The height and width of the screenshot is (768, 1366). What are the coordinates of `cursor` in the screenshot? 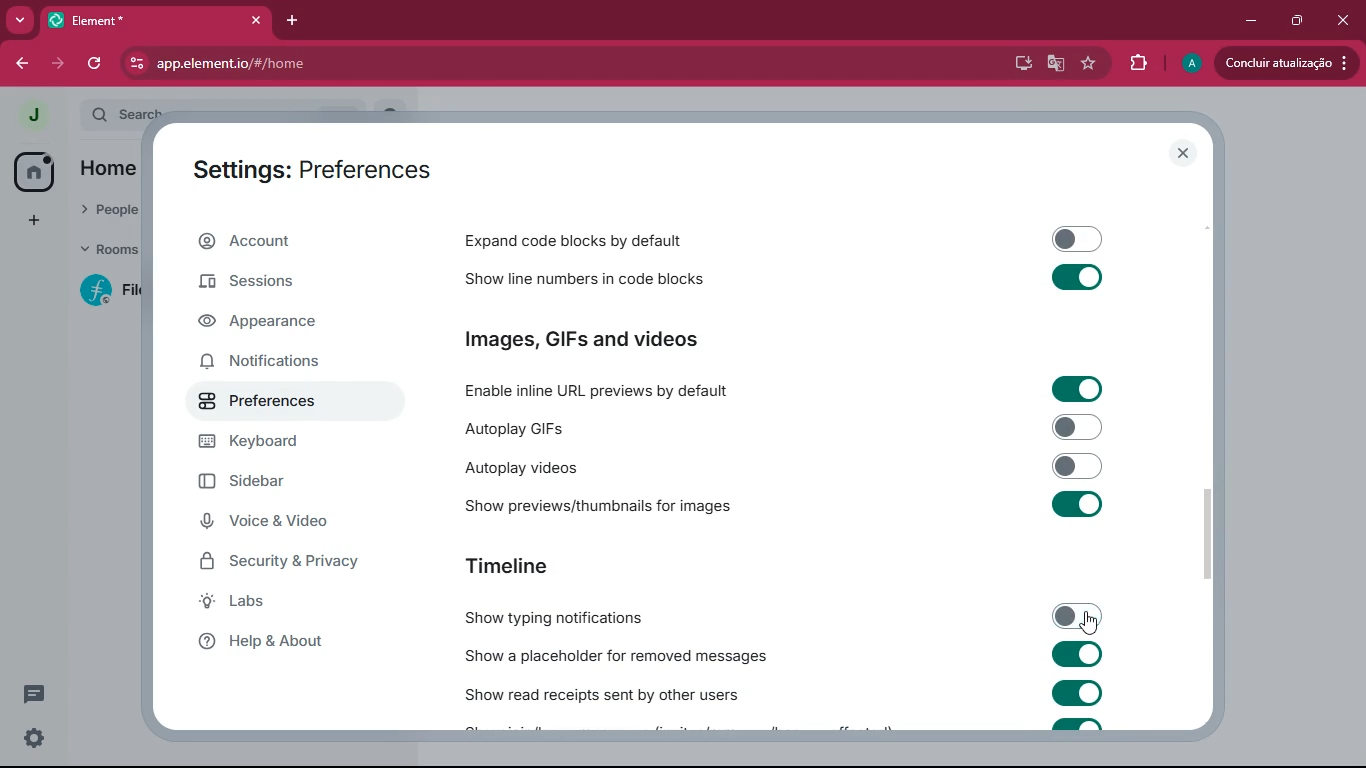 It's located at (1089, 624).